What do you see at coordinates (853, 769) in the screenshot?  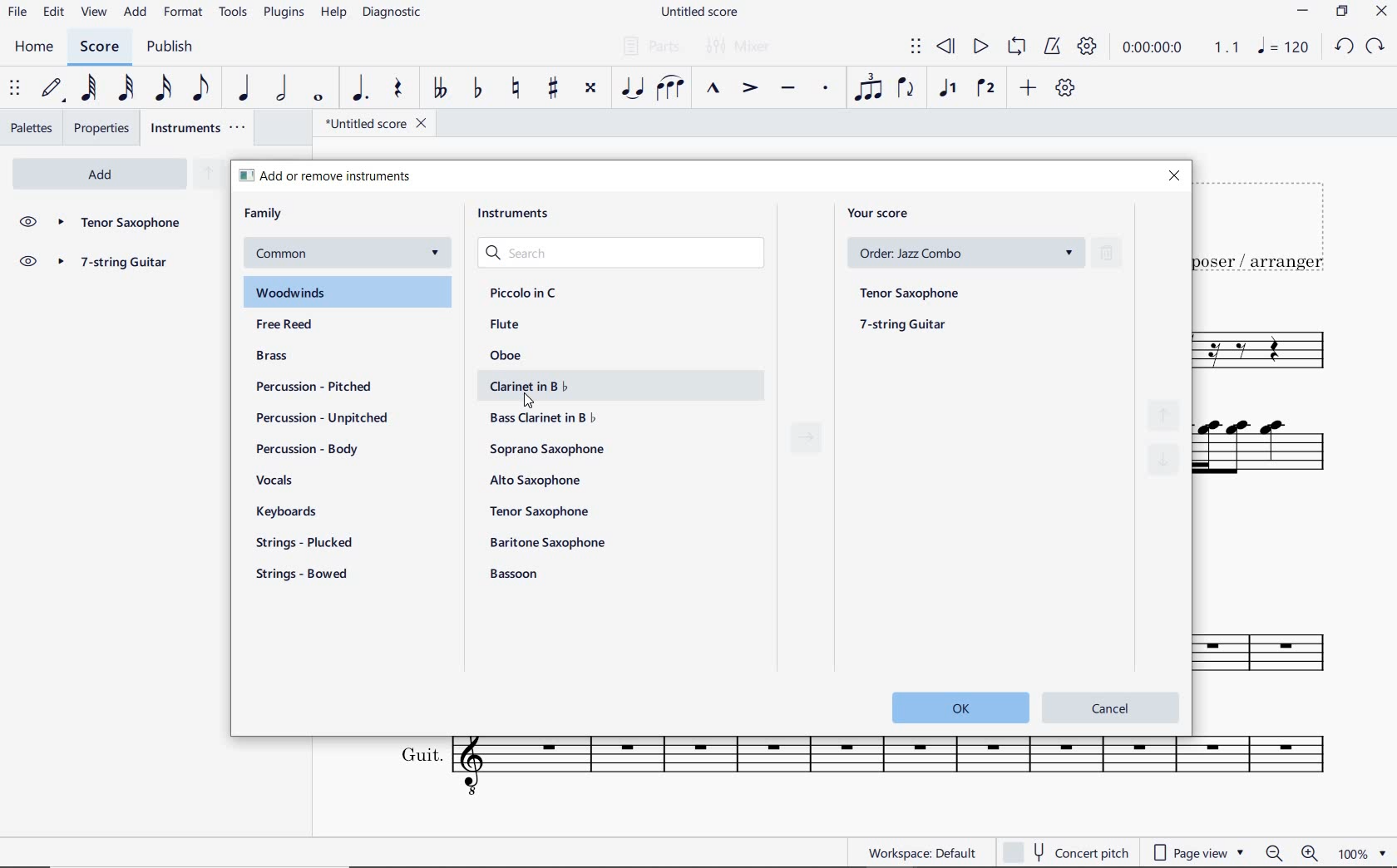 I see `INSTRUMENT: GUIT` at bounding box center [853, 769].